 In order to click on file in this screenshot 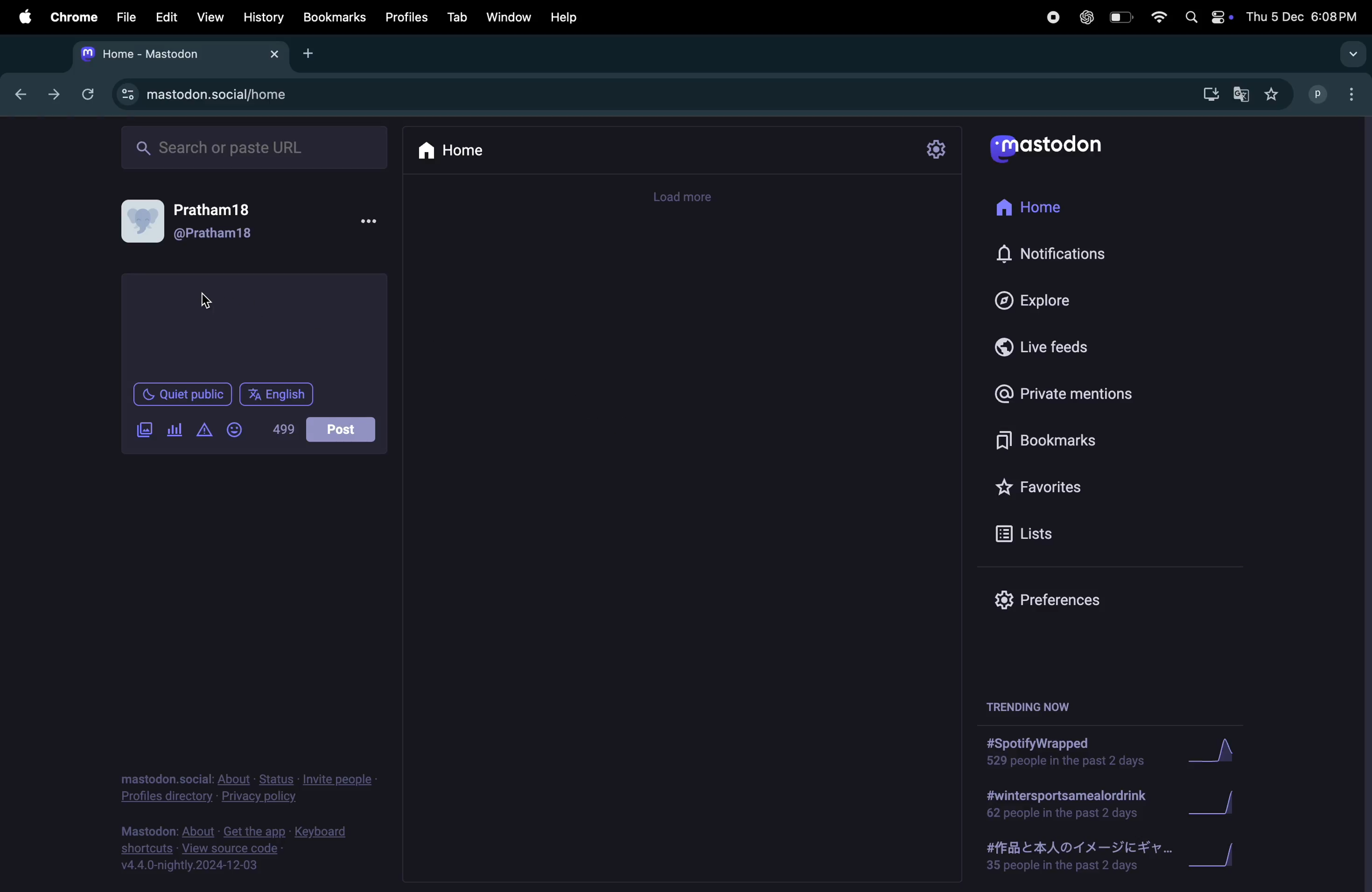, I will do `click(126, 16)`.